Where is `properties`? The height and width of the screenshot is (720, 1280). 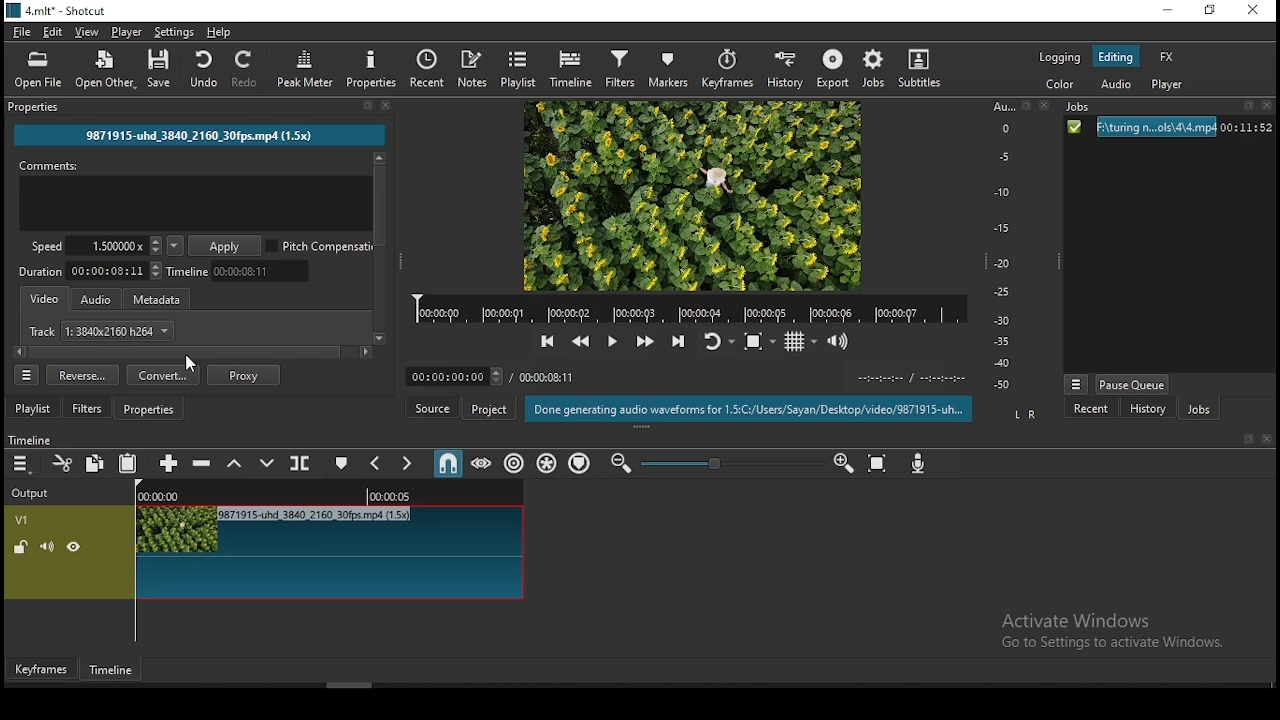 properties is located at coordinates (150, 408).